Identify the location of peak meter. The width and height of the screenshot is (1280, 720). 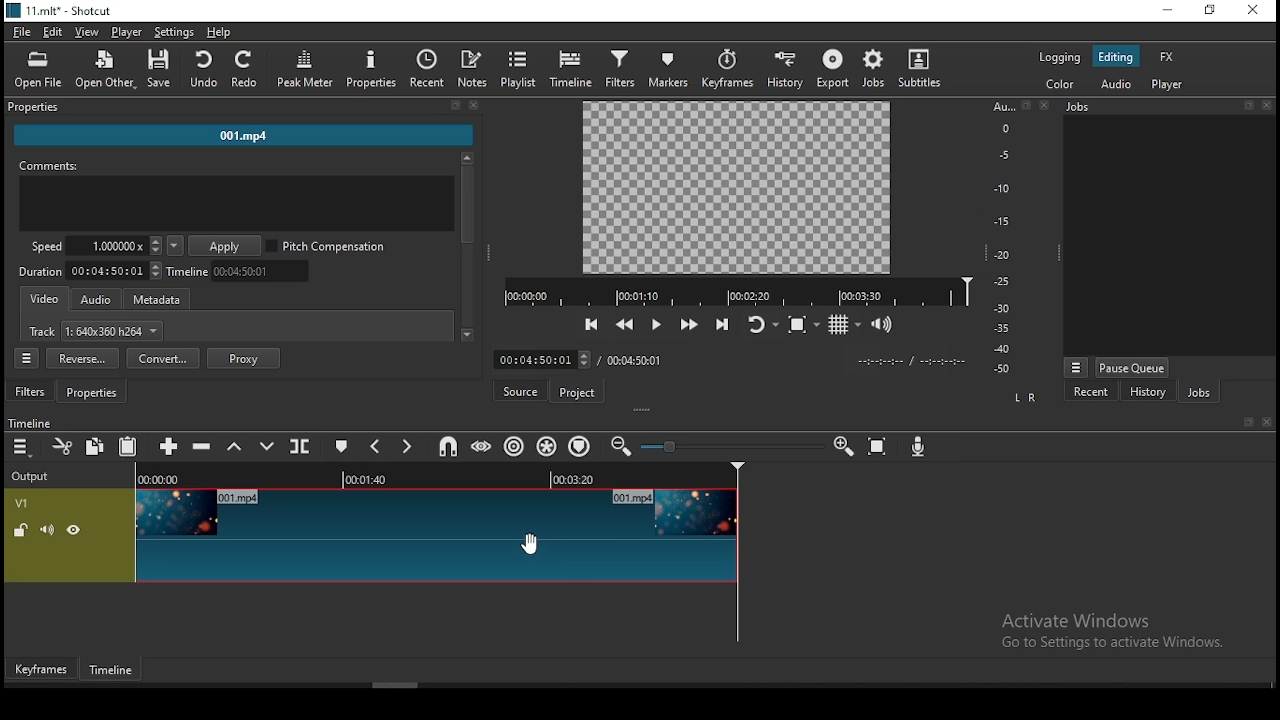
(303, 68).